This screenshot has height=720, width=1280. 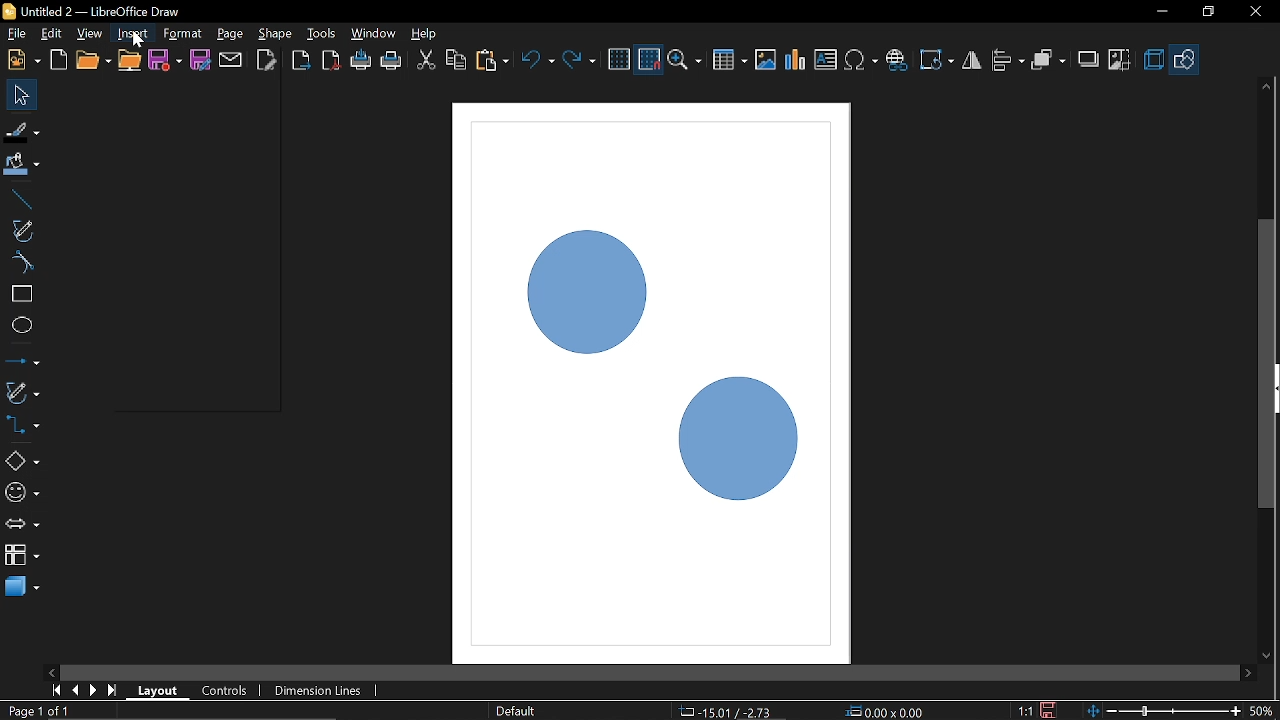 I want to click on Arrange, so click(x=1048, y=61).